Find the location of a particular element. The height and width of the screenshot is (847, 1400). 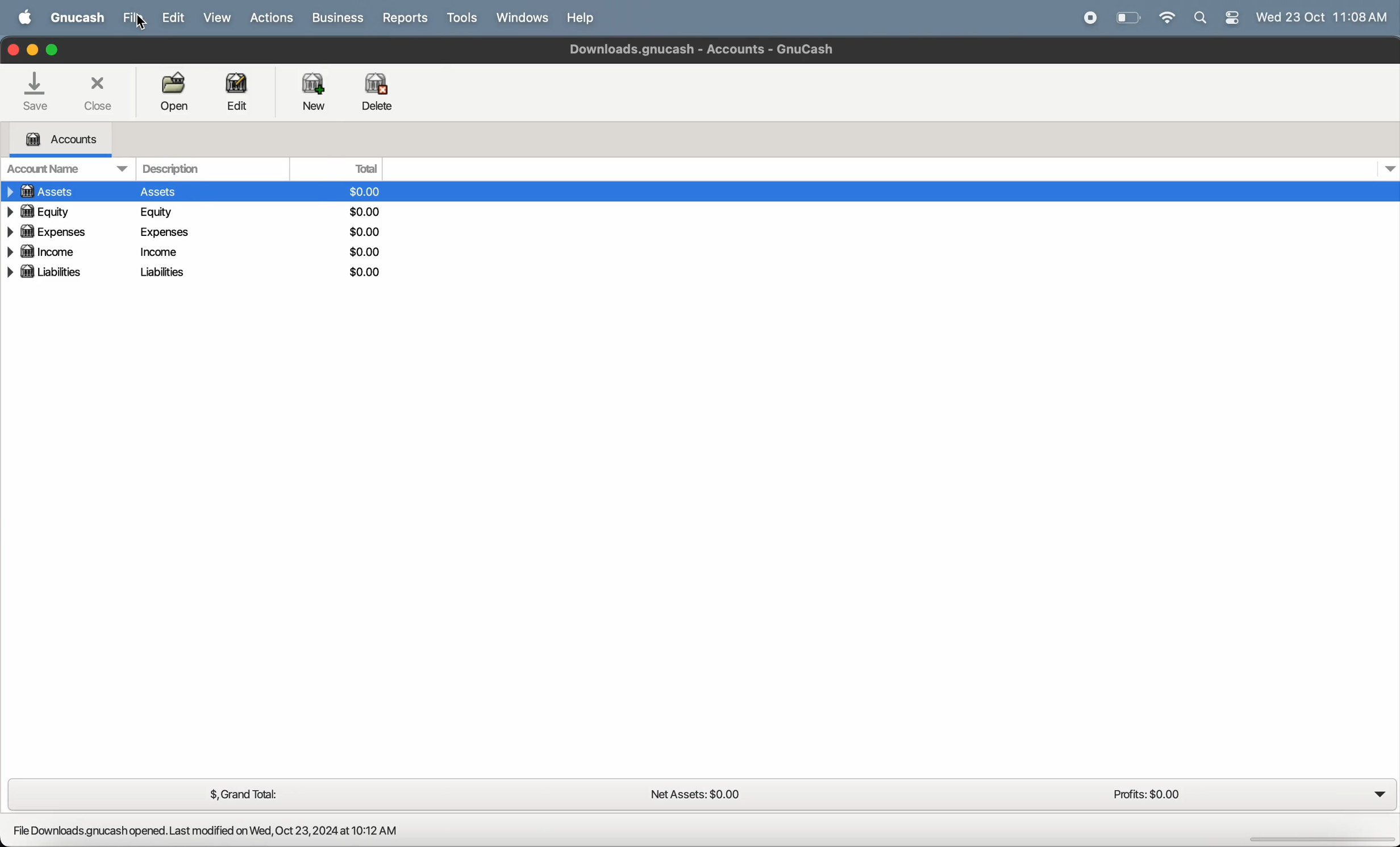

record is located at coordinates (1087, 19).